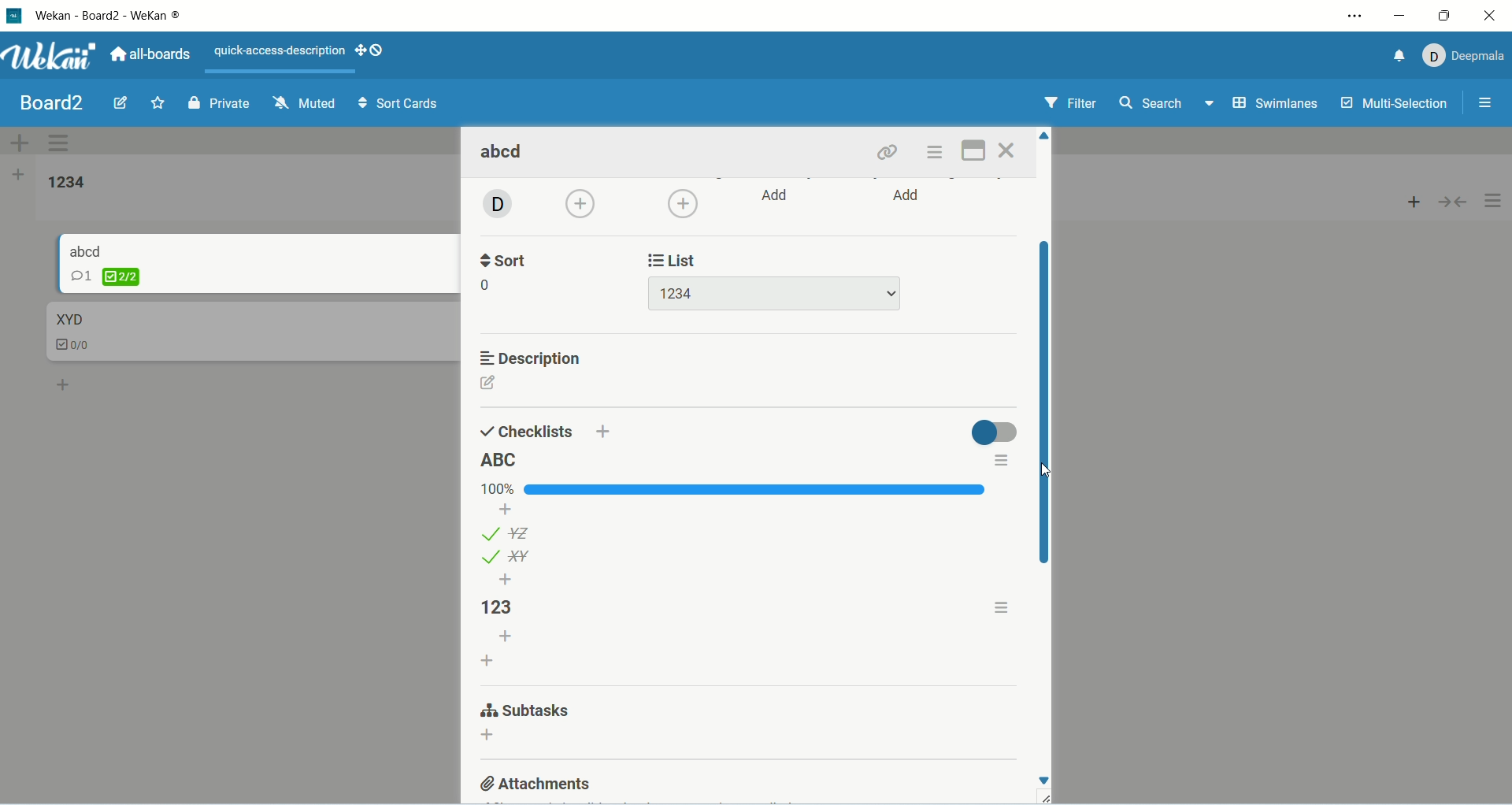 The width and height of the screenshot is (1512, 805). I want to click on toggle button, so click(993, 432).